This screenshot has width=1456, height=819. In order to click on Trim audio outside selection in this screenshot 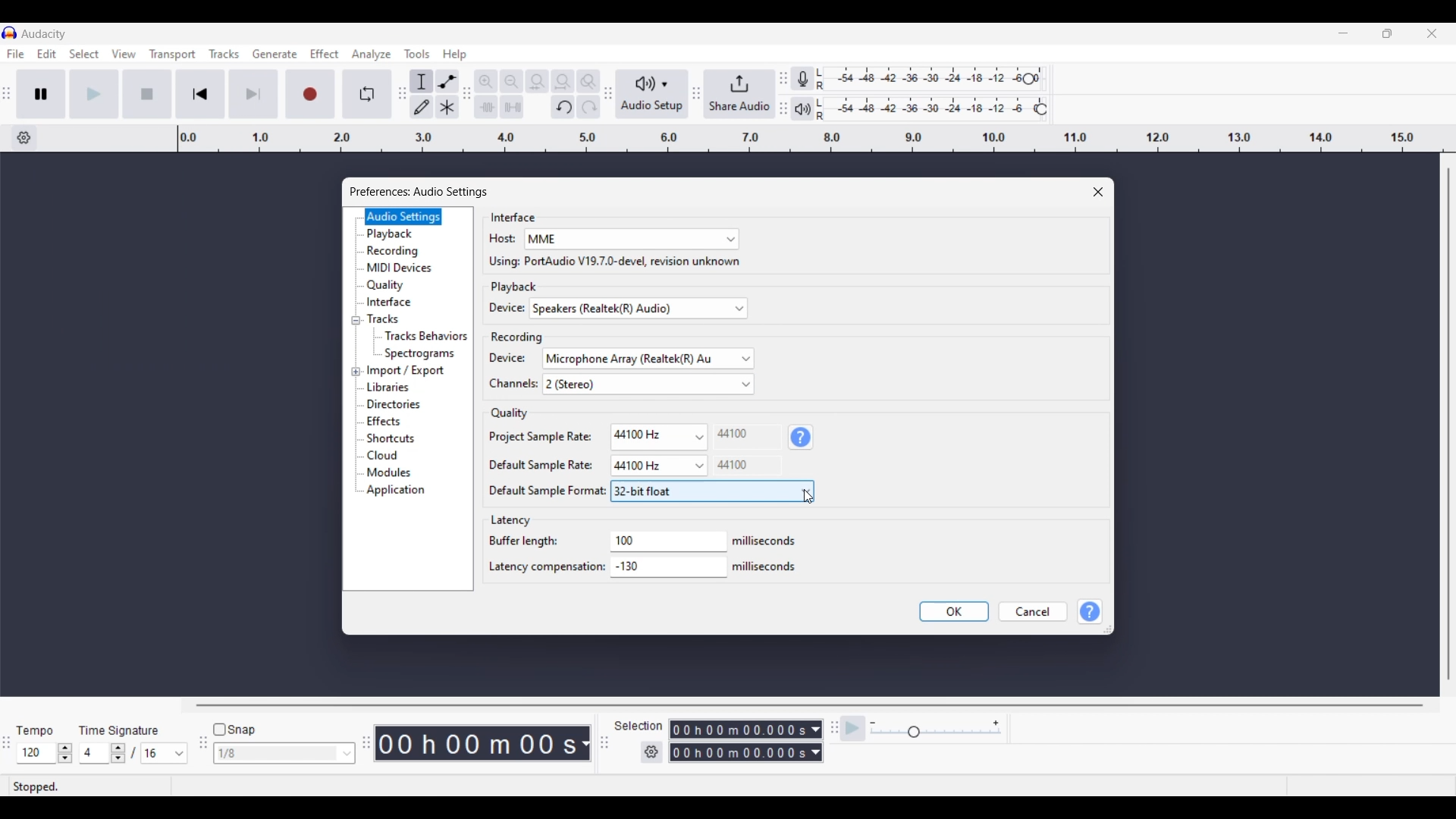, I will do `click(485, 106)`.